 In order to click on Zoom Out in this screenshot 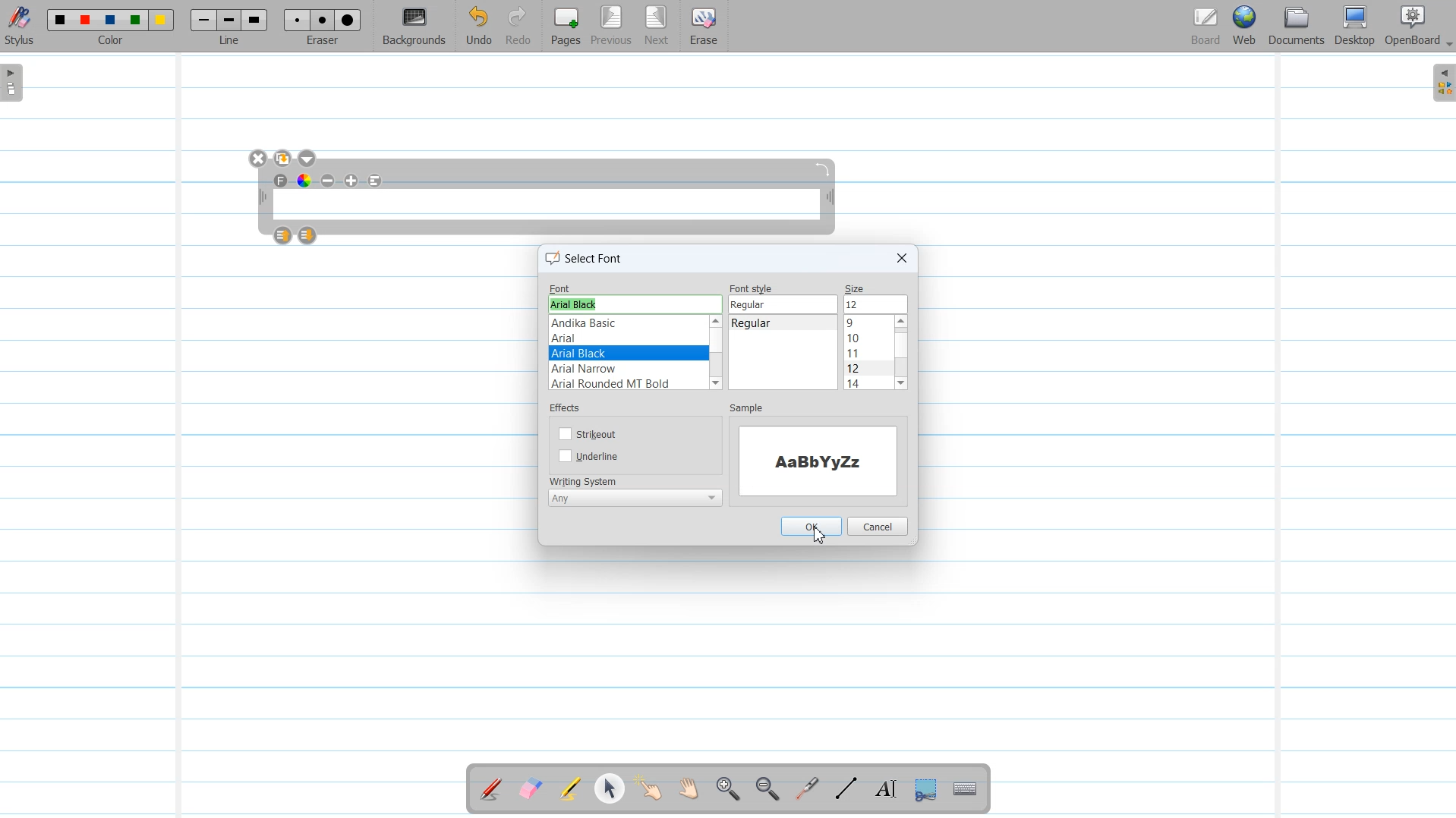, I will do `click(764, 790)`.